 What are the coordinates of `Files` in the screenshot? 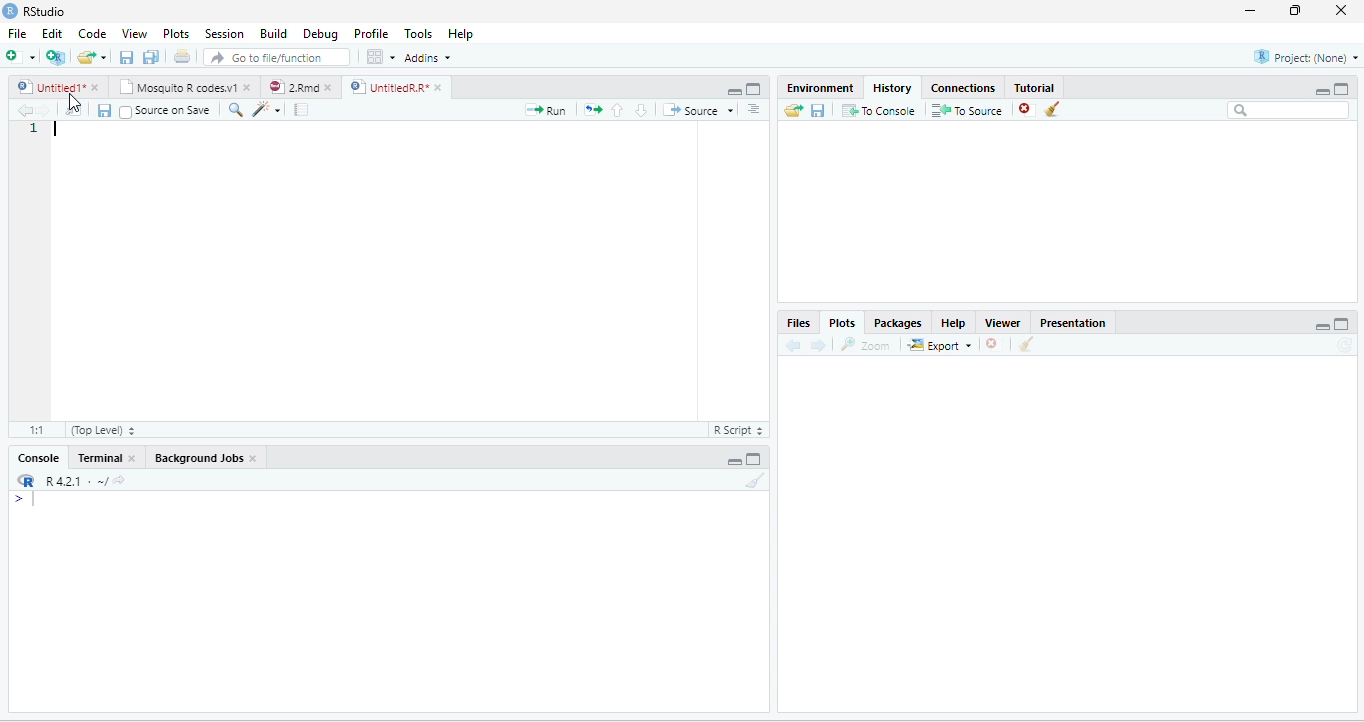 It's located at (798, 322).